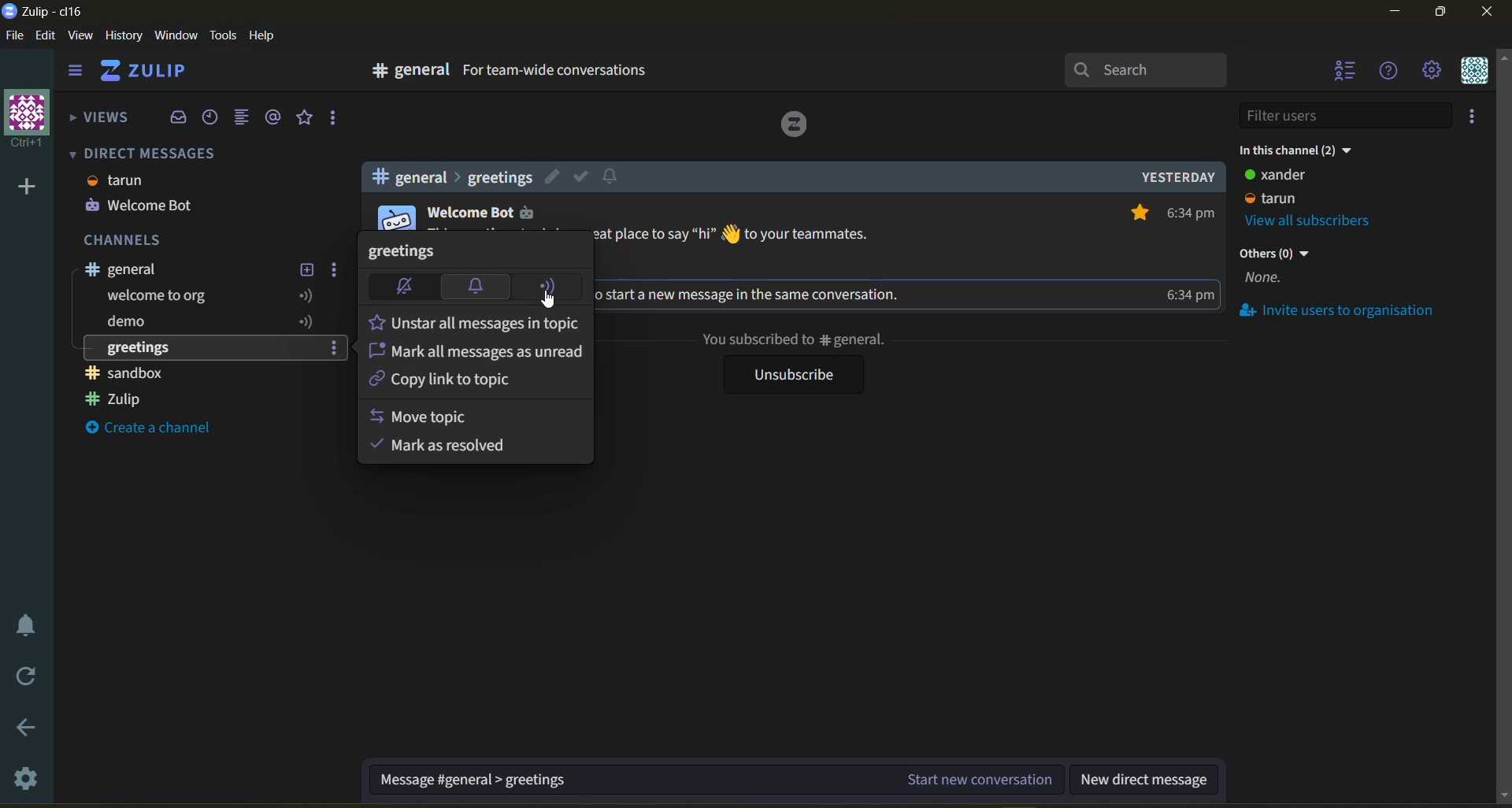 The height and width of the screenshot is (808, 1512). I want to click on unsubscribe, so click(790, 375).